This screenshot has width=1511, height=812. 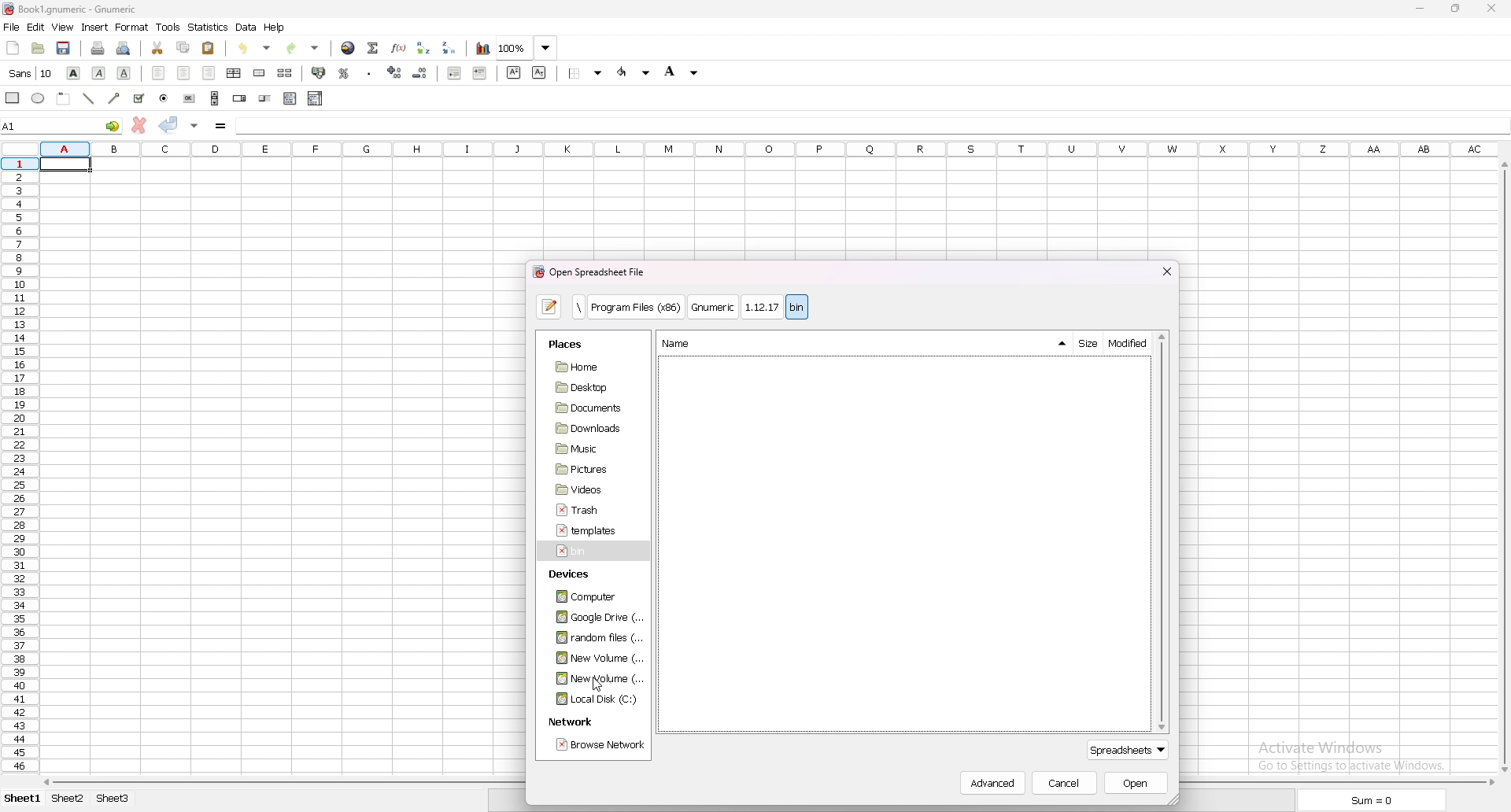 I want to click on sort ascending, so click(x=424, y=48).